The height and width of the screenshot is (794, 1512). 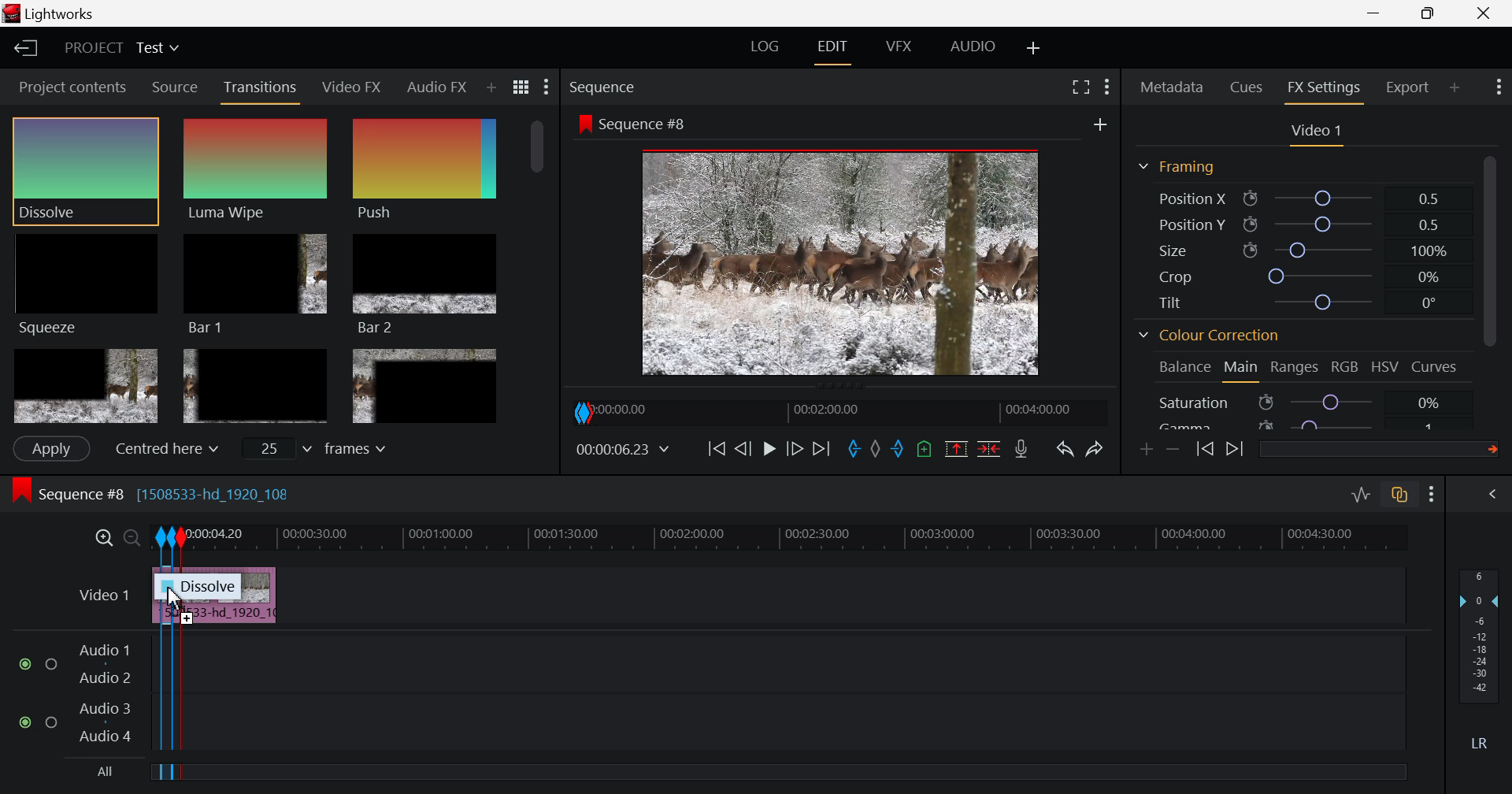 What do you see at coordinates (20, 50) in the screenshot?
I see `Back to Homepage` at bounding box center [20, 50].